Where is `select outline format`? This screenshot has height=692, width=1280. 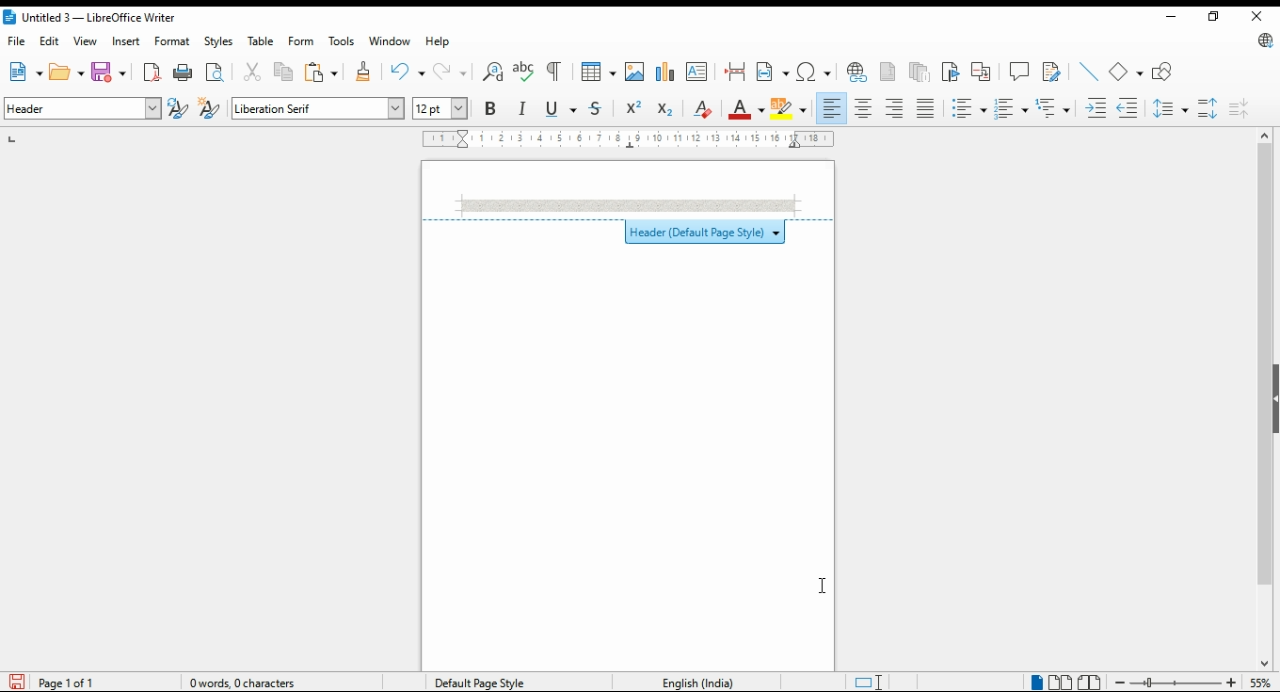
select outline format is located at coordinates (1053, 107).